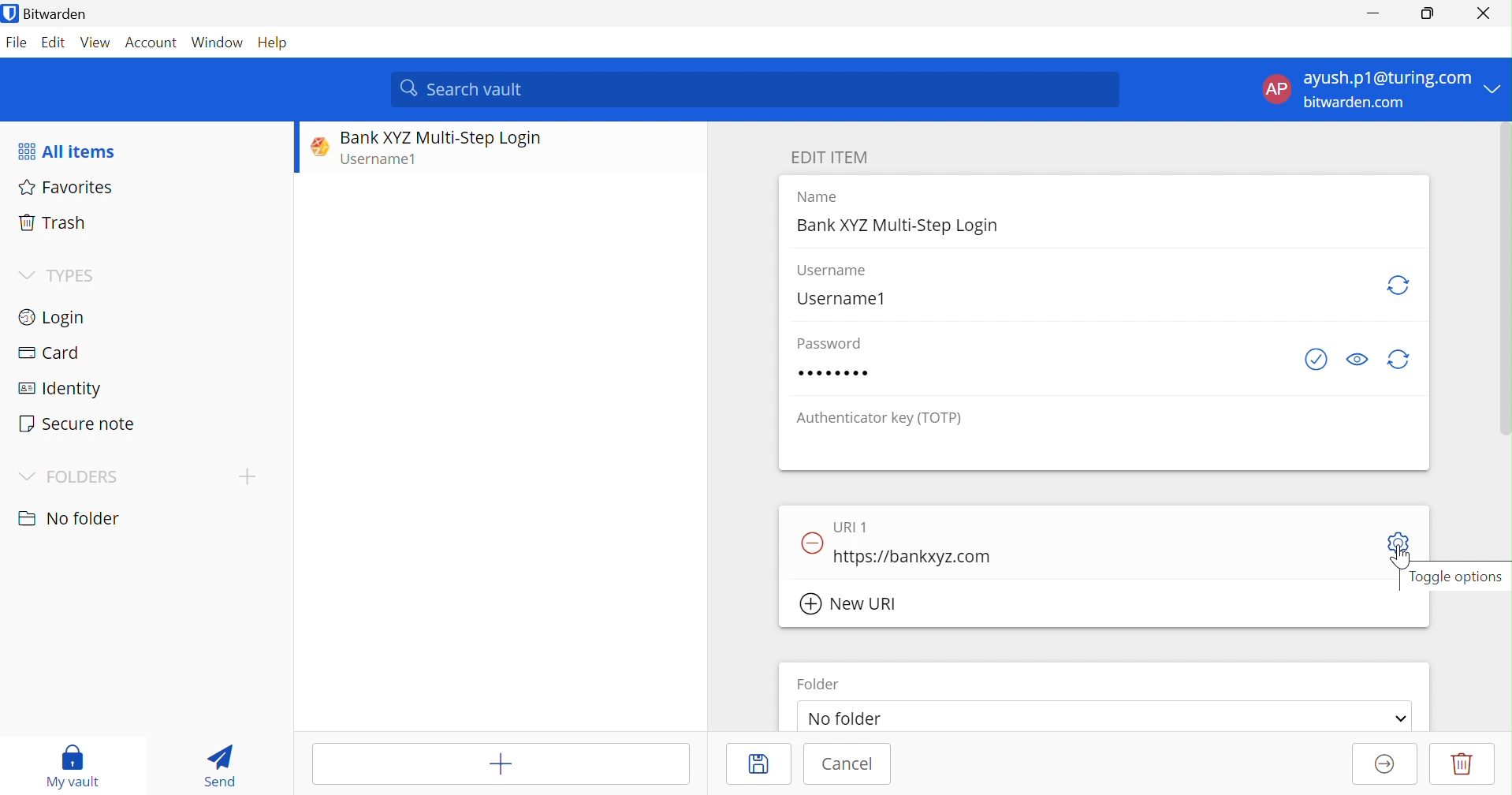 This screenshot has width=1512, height=795. What do you see at coordinates (845, 715) in the screenshot?
I see `No folder` at bounding box center [845, 715].